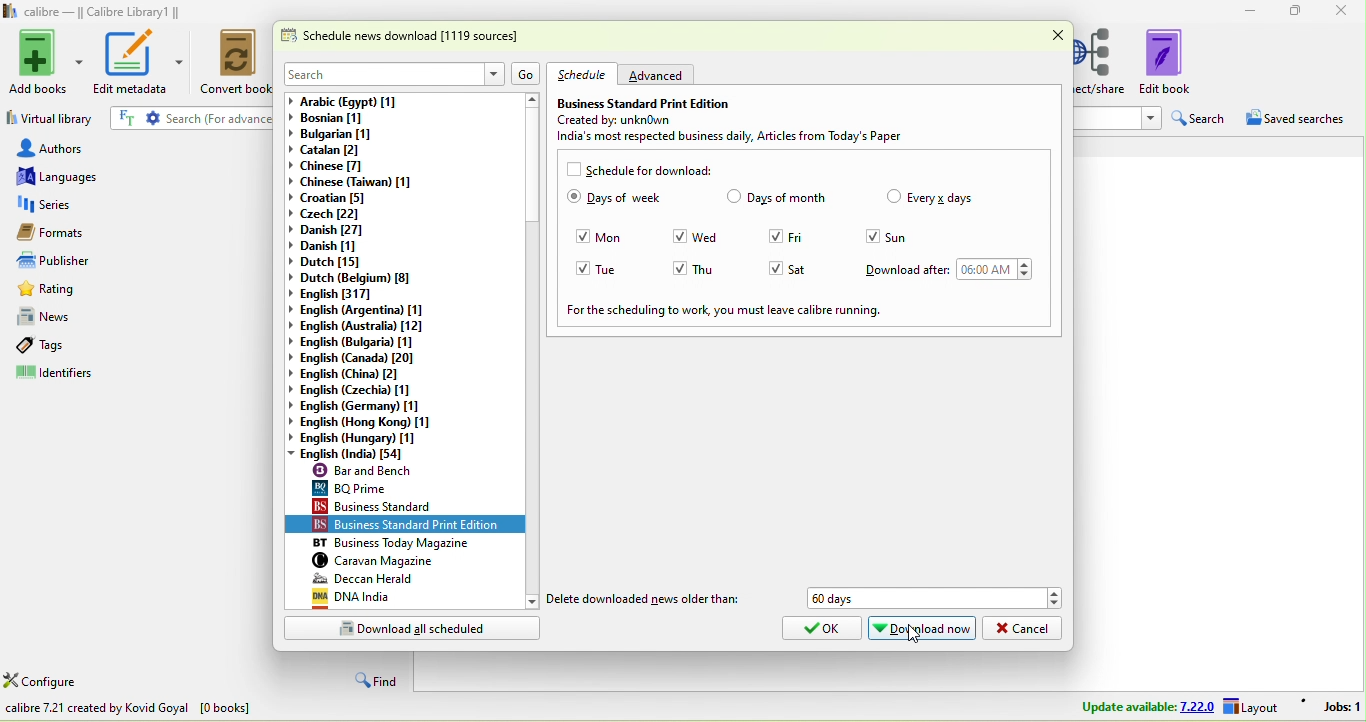  Describe the element at coordinates (1025, 628) in the screenshot. I see `cancel` at that location.